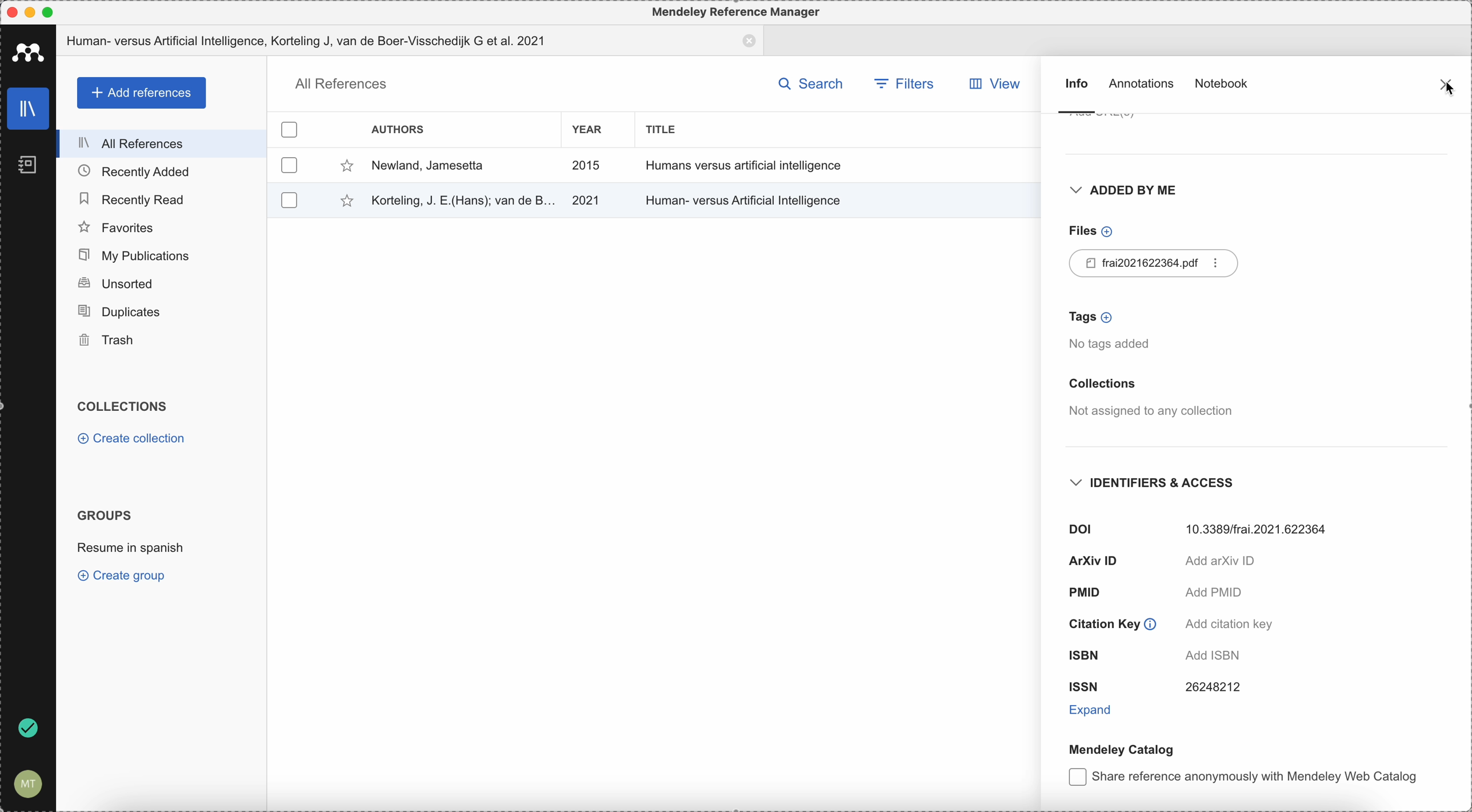 Image resolution: width=1472 pixels, height=812 pixels. I want to click on close Mendeley, so click(11, 11).